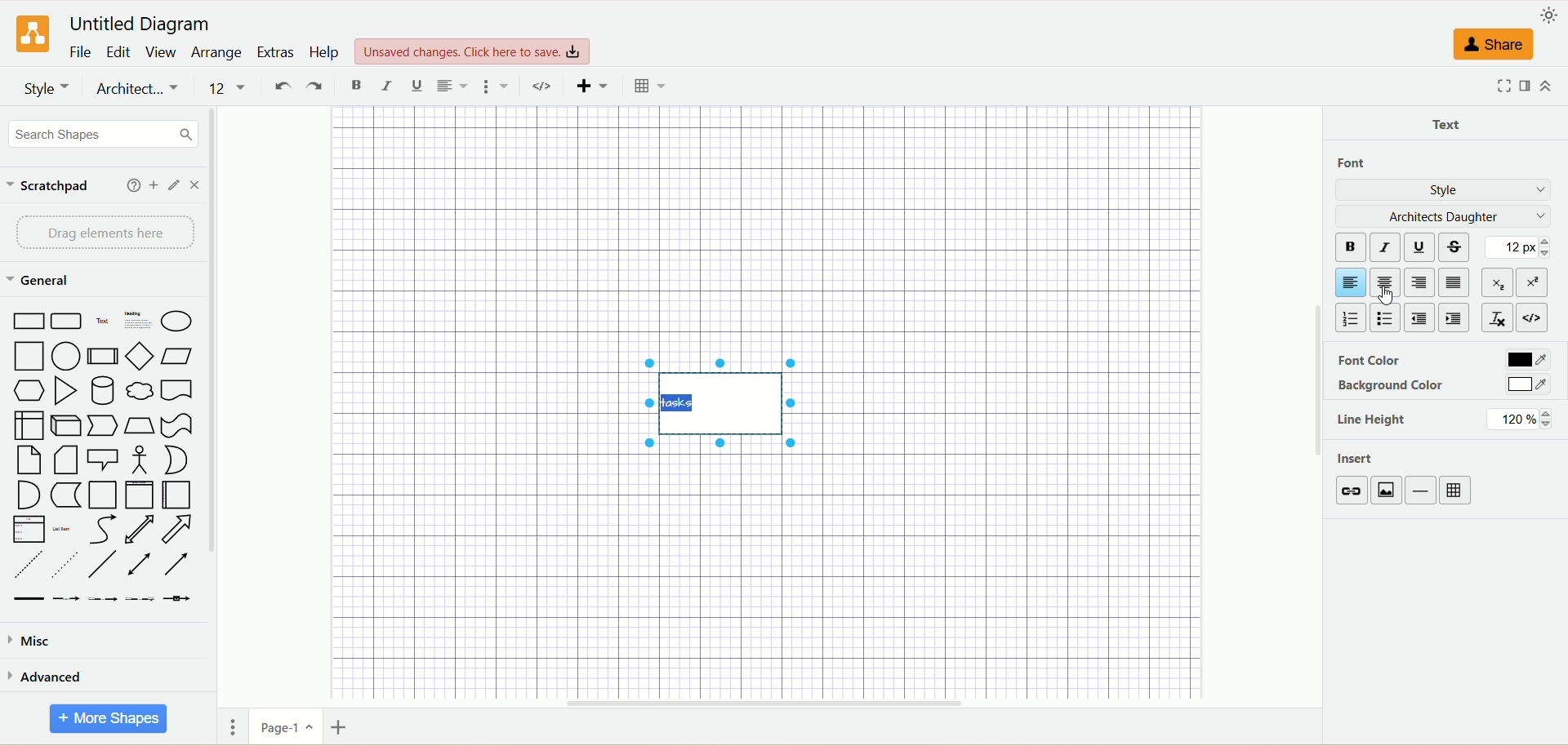 This screenshot has width=1568, height=746. What do you see at coordinates (387, 87) in the screenshot?
I see `Italic` at bounding box center [387, 87].